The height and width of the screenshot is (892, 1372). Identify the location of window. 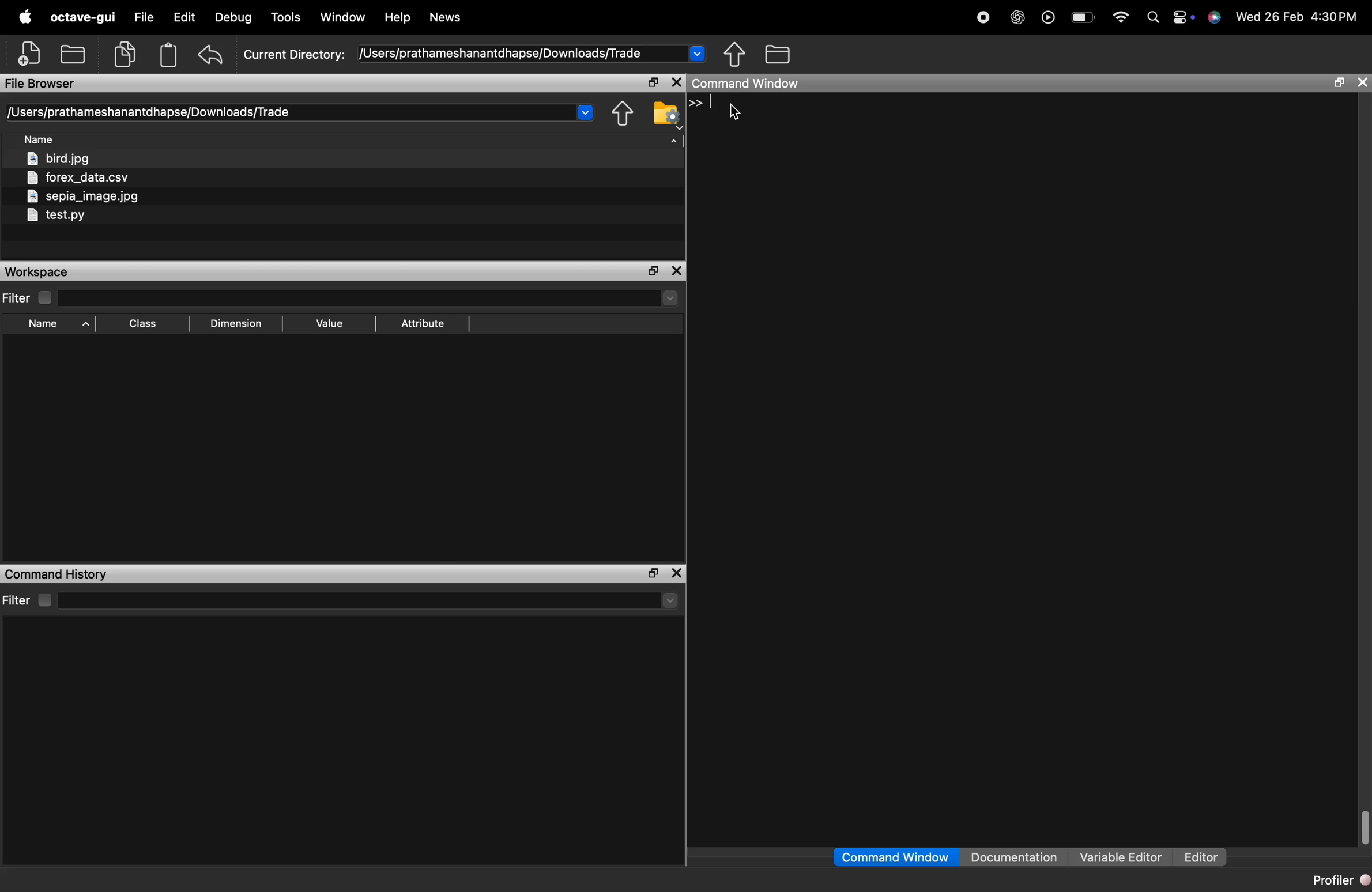
(344, 17).